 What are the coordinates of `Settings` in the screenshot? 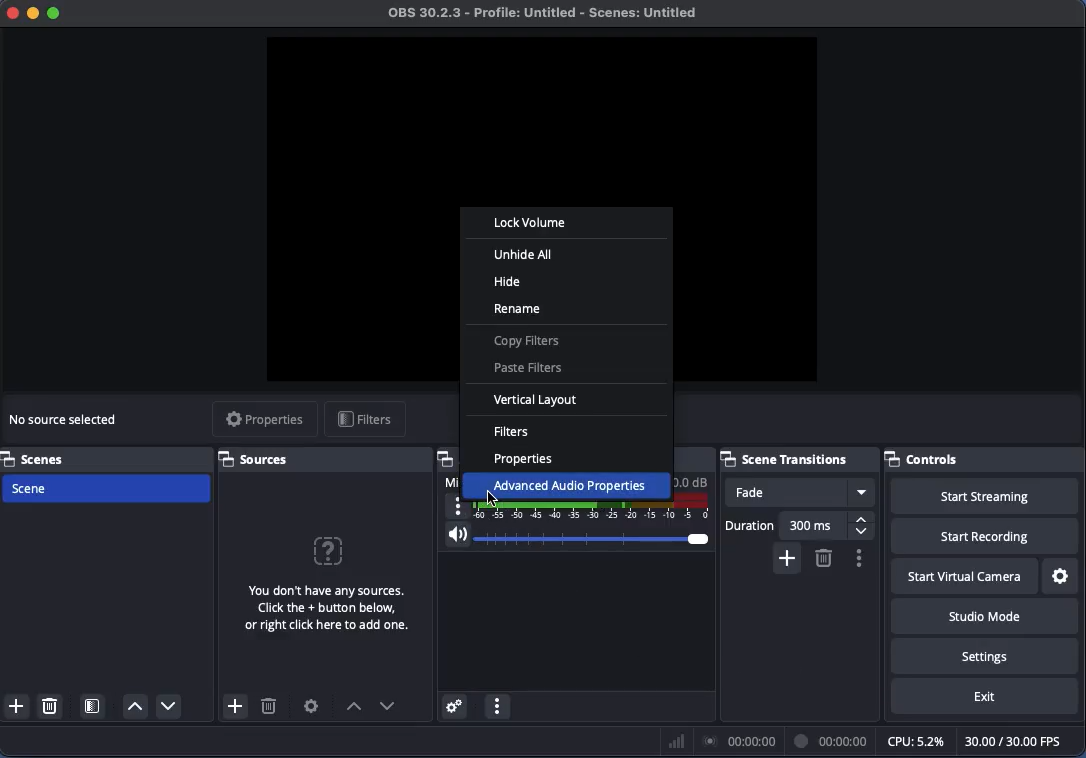 It's located at (1062, 577).